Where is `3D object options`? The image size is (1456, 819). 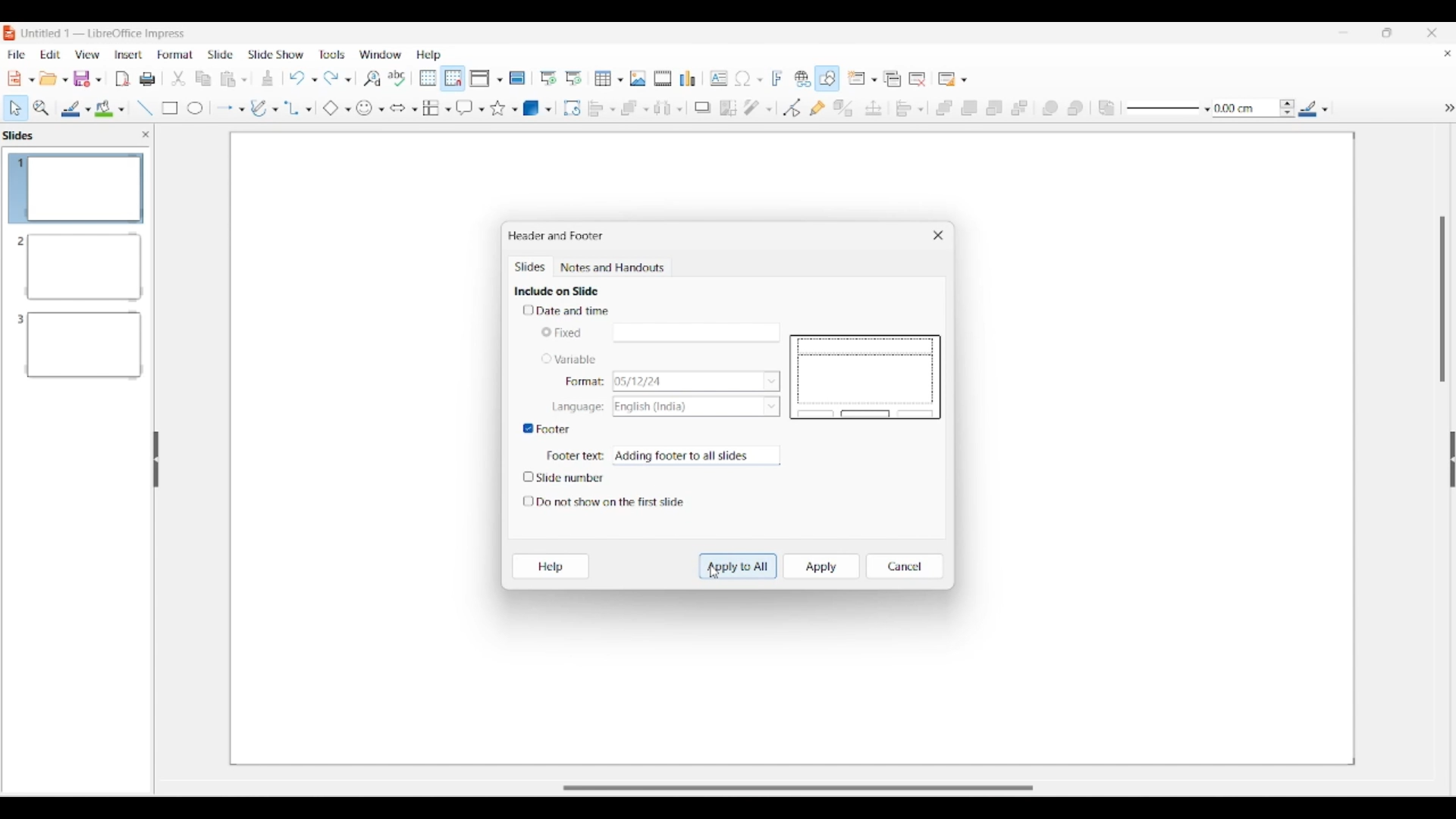 3D object options is located at coordinates (537, 108).